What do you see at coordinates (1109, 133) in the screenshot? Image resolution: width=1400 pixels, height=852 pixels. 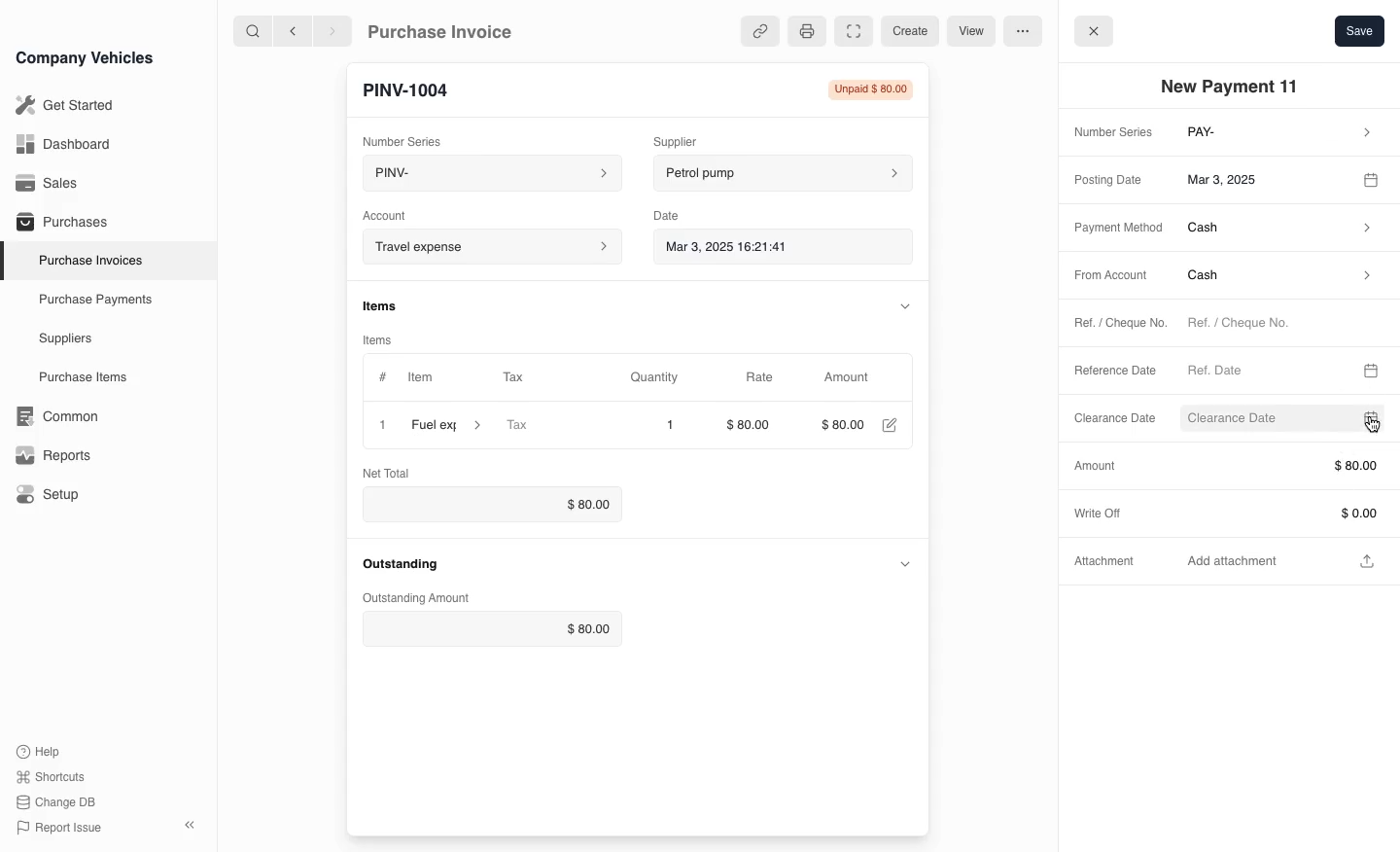 I see `Number Series` at bounding box center [1109, 133].